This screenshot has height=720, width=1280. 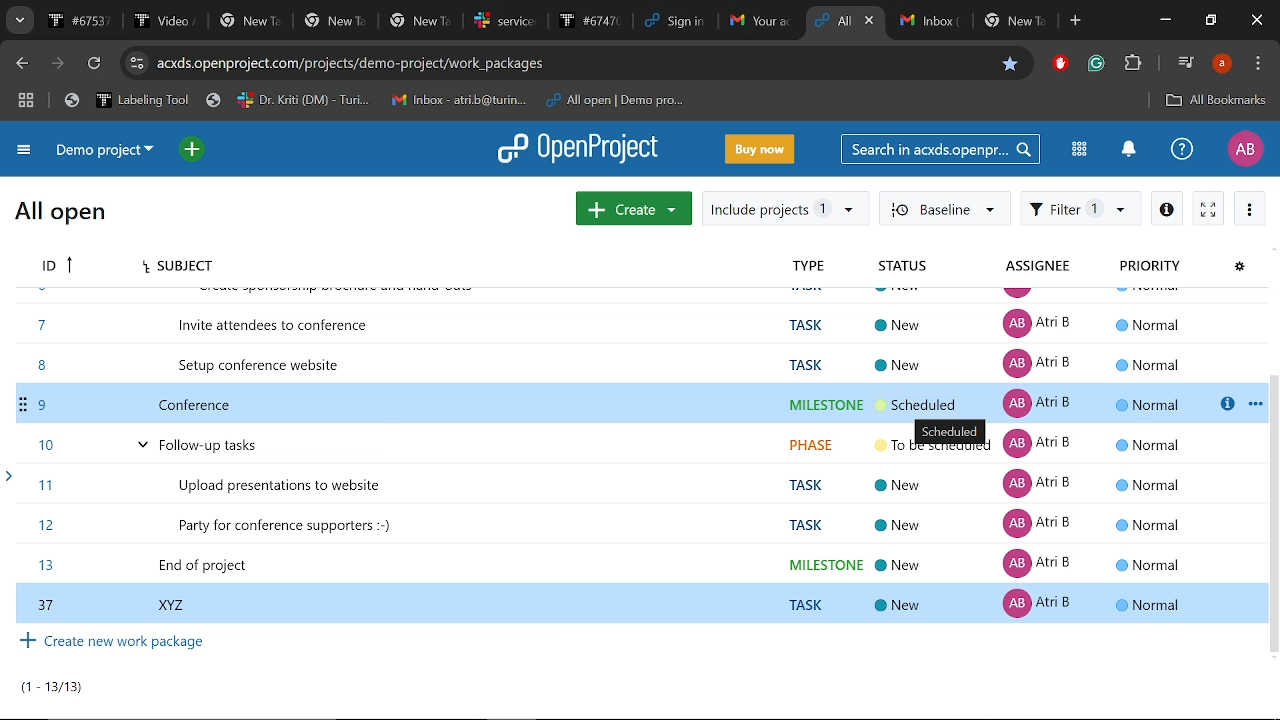 What do you see at coordinates (1162, 18) in the screenshot?
I see `Minimize` at bounding box center [1162, 18].